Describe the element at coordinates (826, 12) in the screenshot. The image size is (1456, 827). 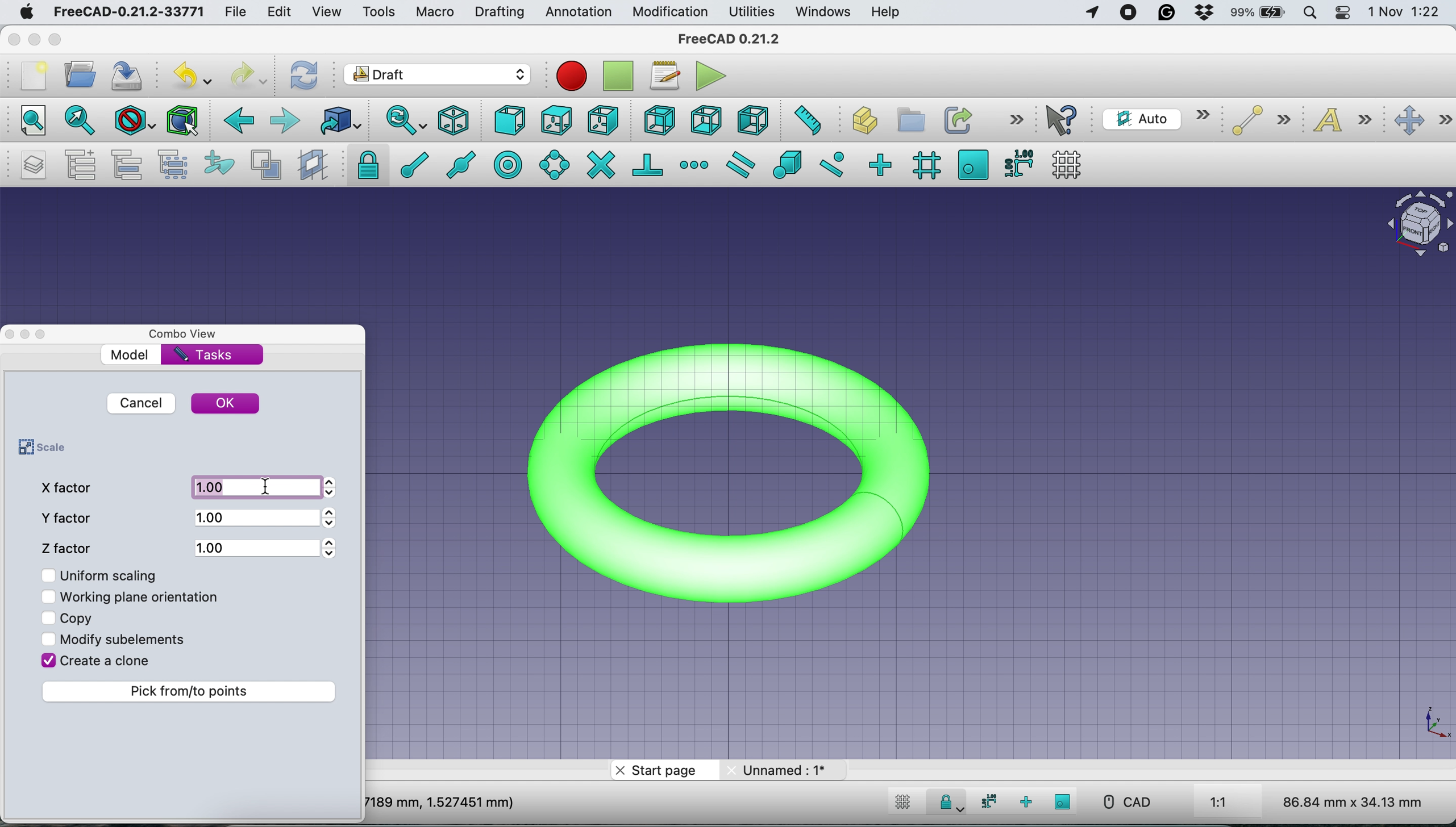
I see `windows` at that location.